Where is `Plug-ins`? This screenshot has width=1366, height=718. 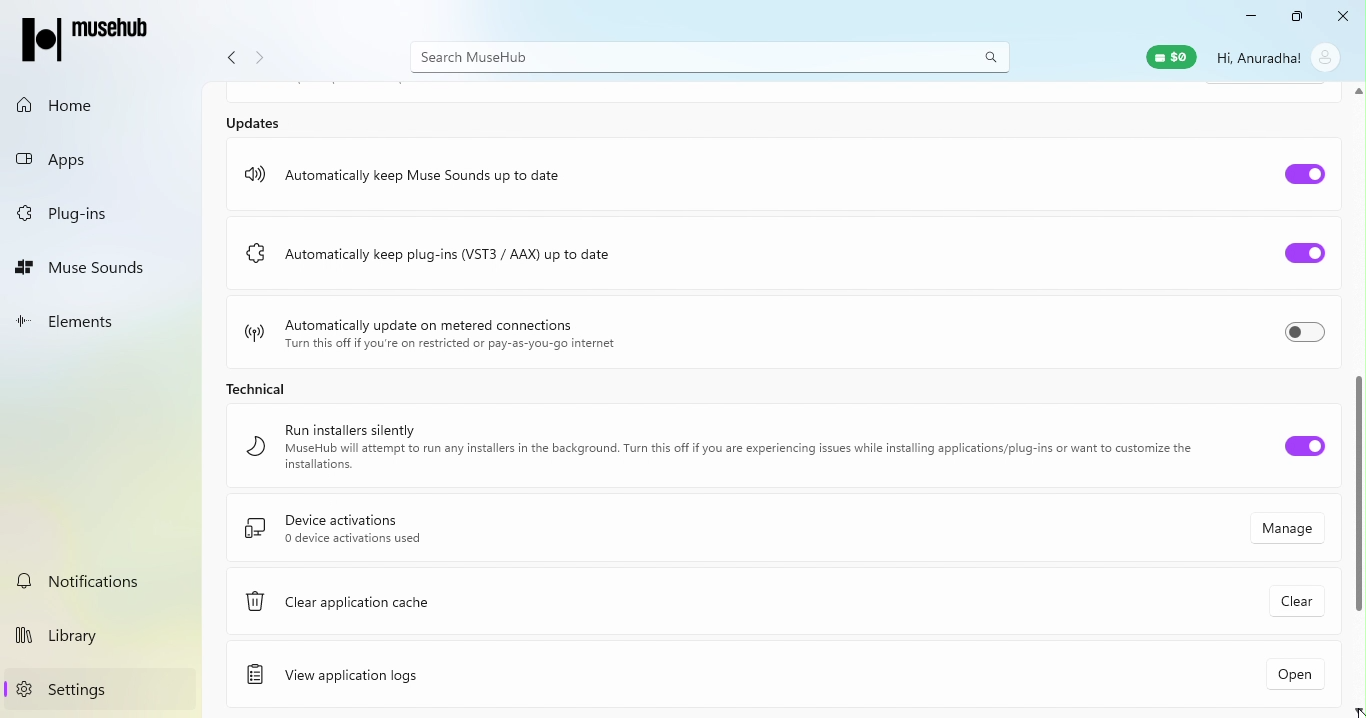
Plug-ins is located at coordinates (91, 212).